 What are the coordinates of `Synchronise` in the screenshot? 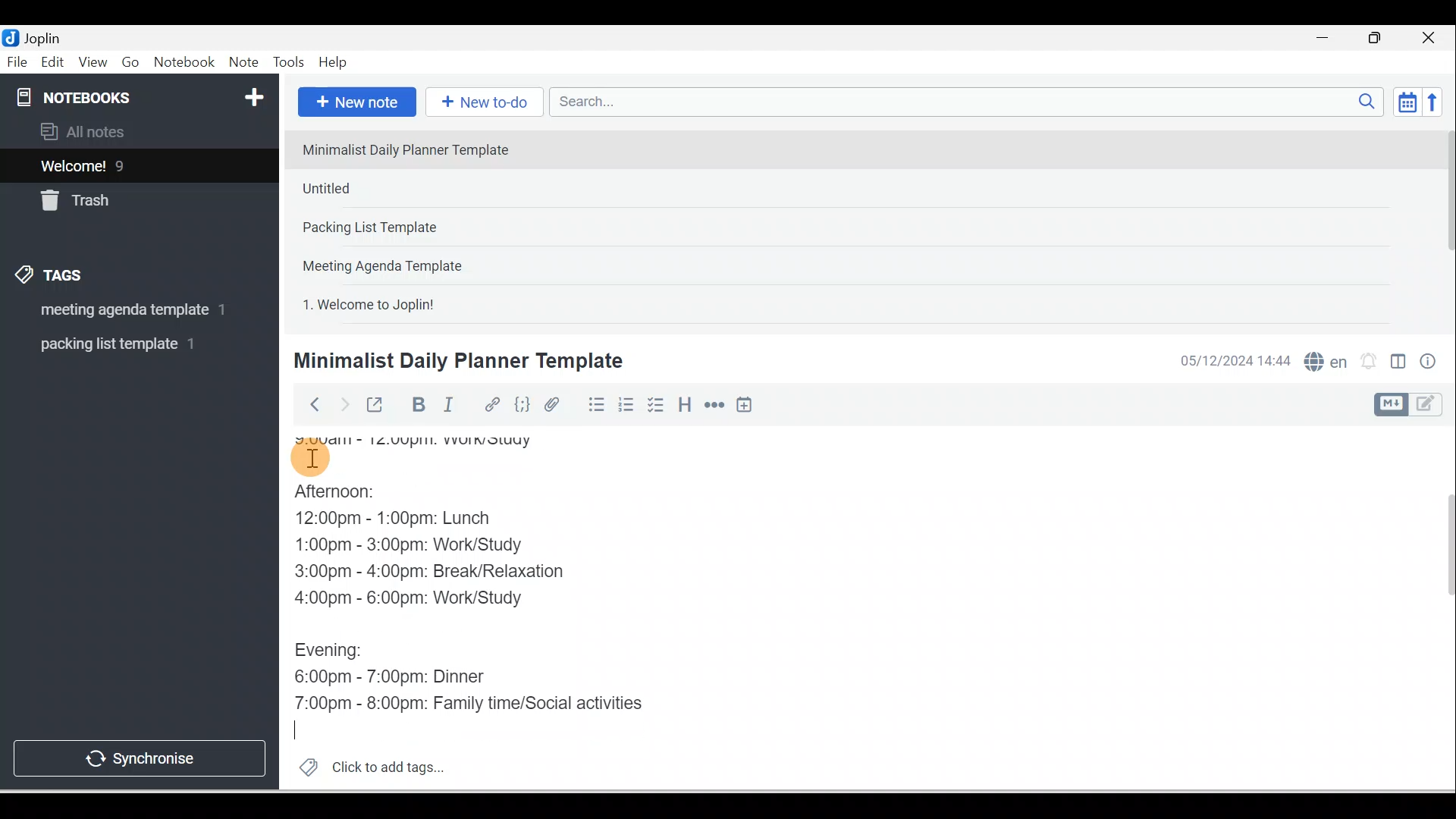 It's located at (138, 755).